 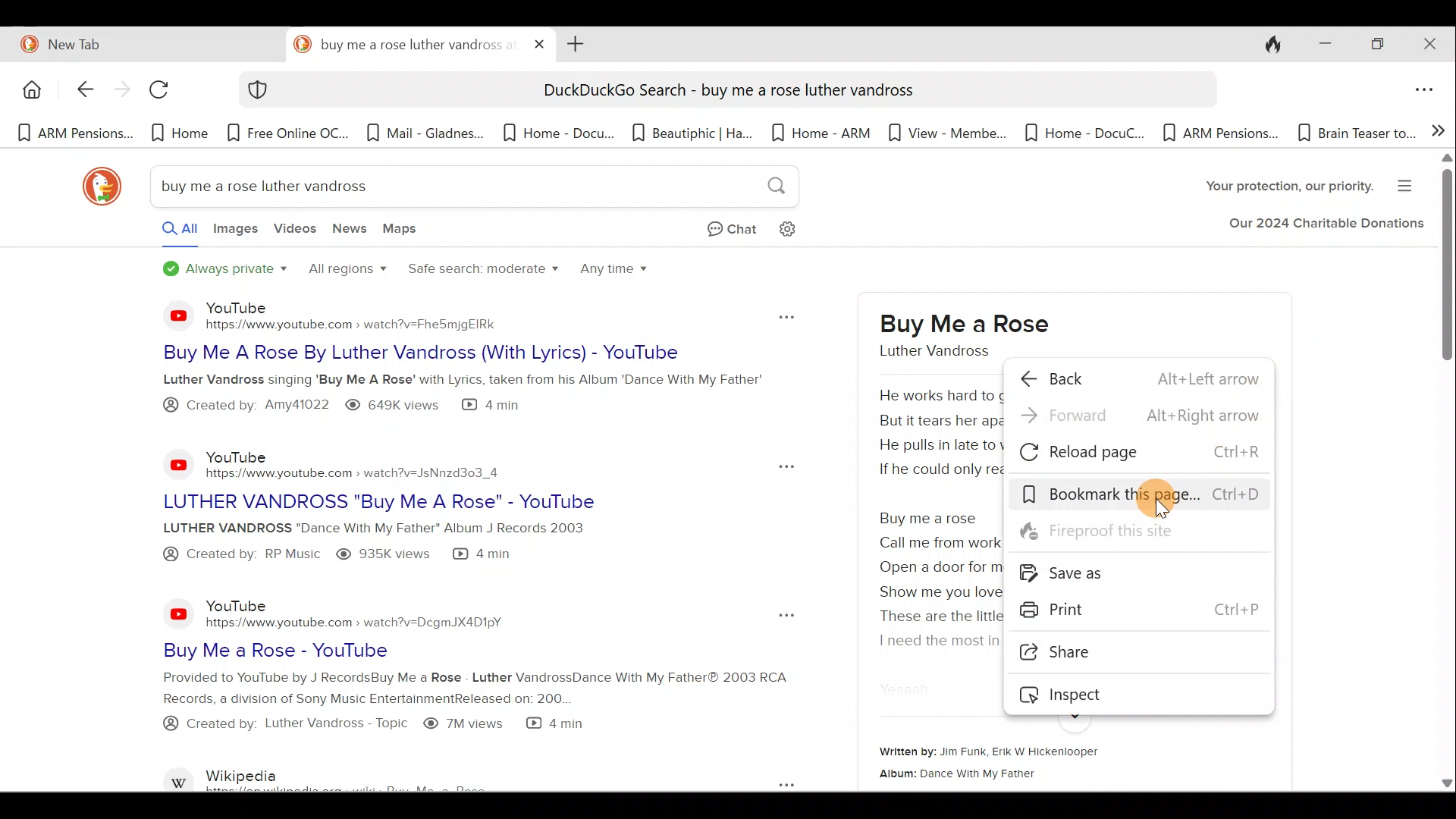 What do you see at coordinates (226, 270) in the screenshot?
I see `Always private` at bounding box center [226, 270].